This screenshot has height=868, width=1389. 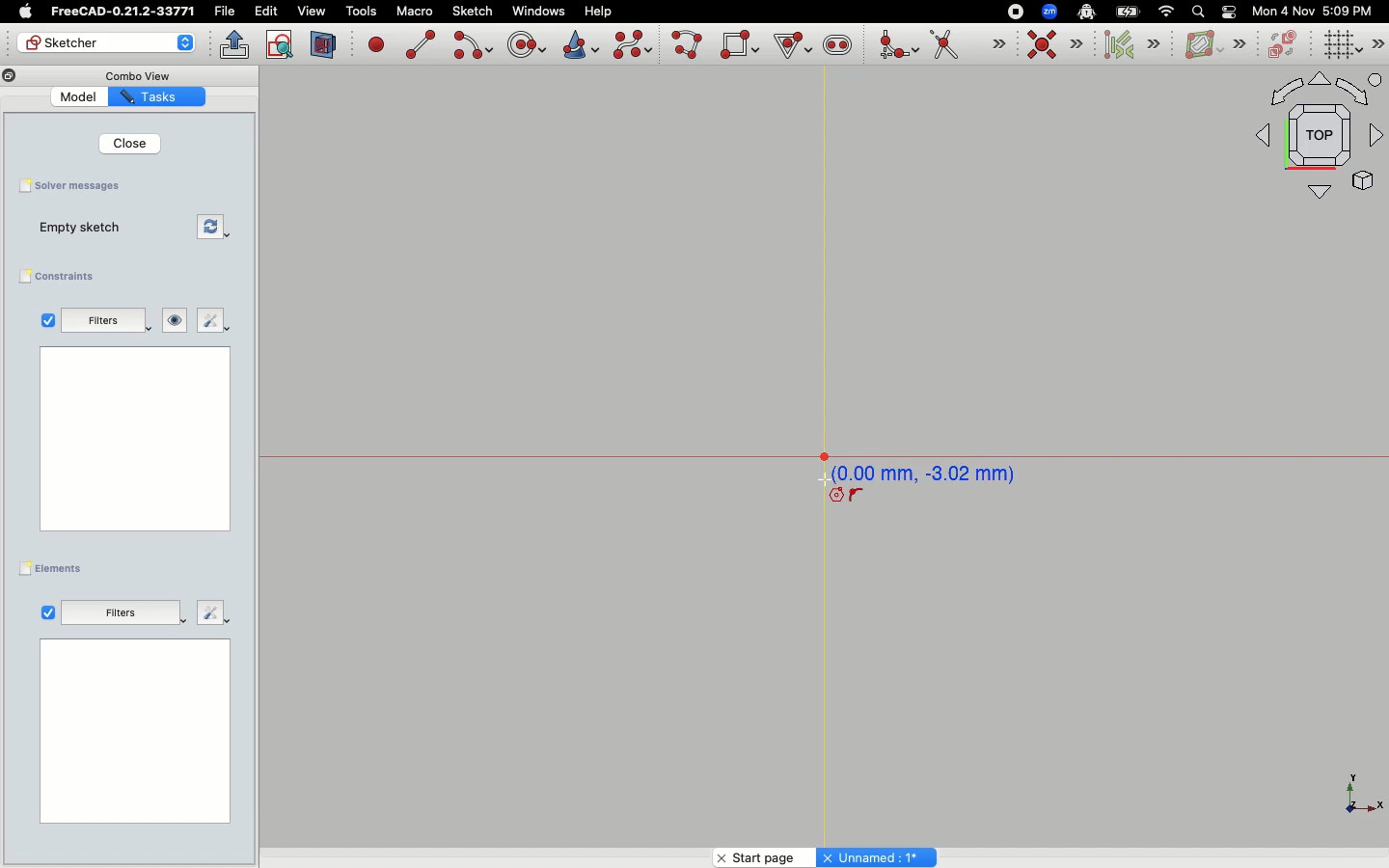 I want to click on Filters, so click(x=123, y=610).